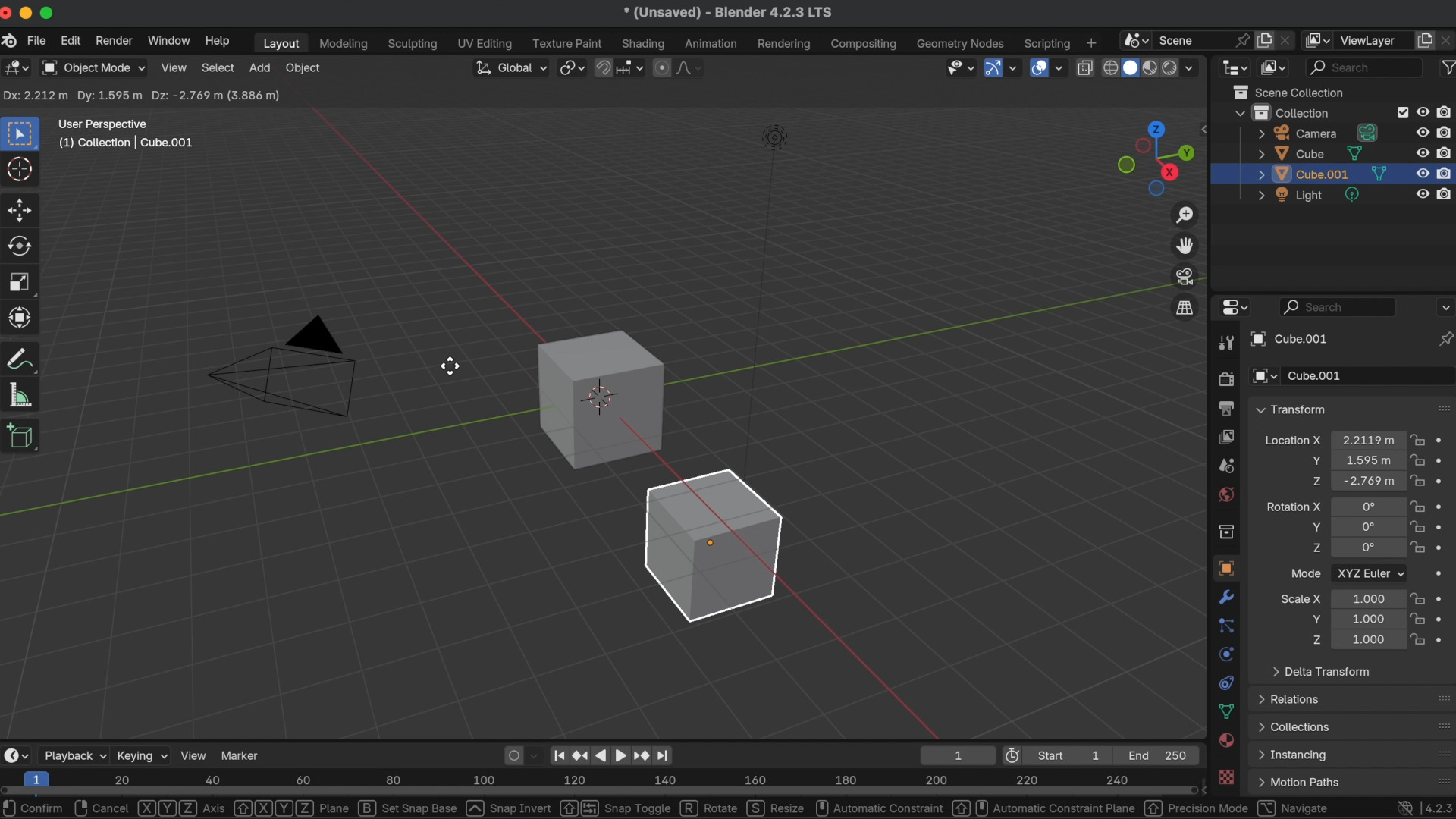  Describe the element at coordinates (36, 808) in the screenshot. I see `confirm` at that location.